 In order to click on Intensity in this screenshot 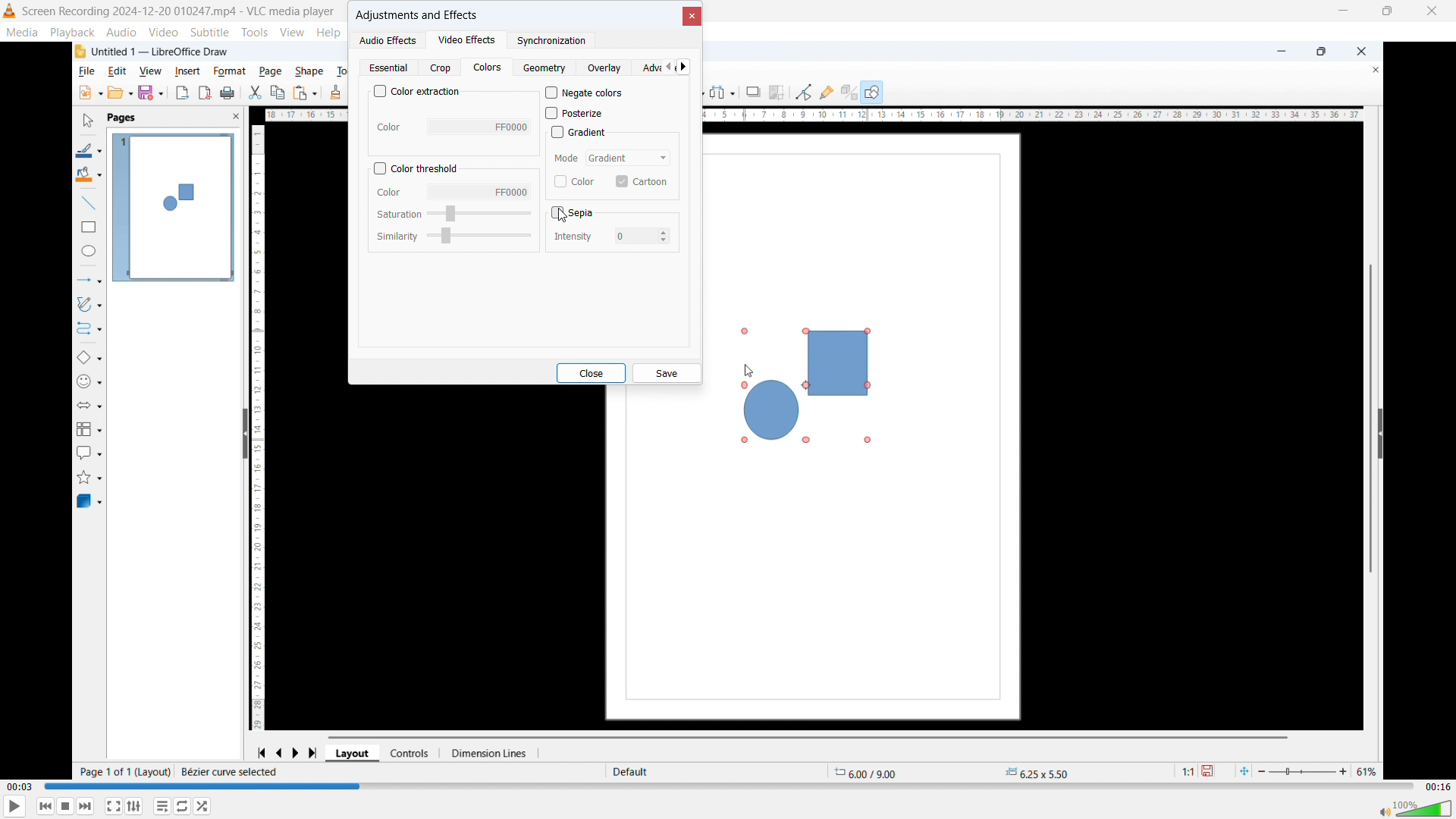, I will do `click(573, 237)`.